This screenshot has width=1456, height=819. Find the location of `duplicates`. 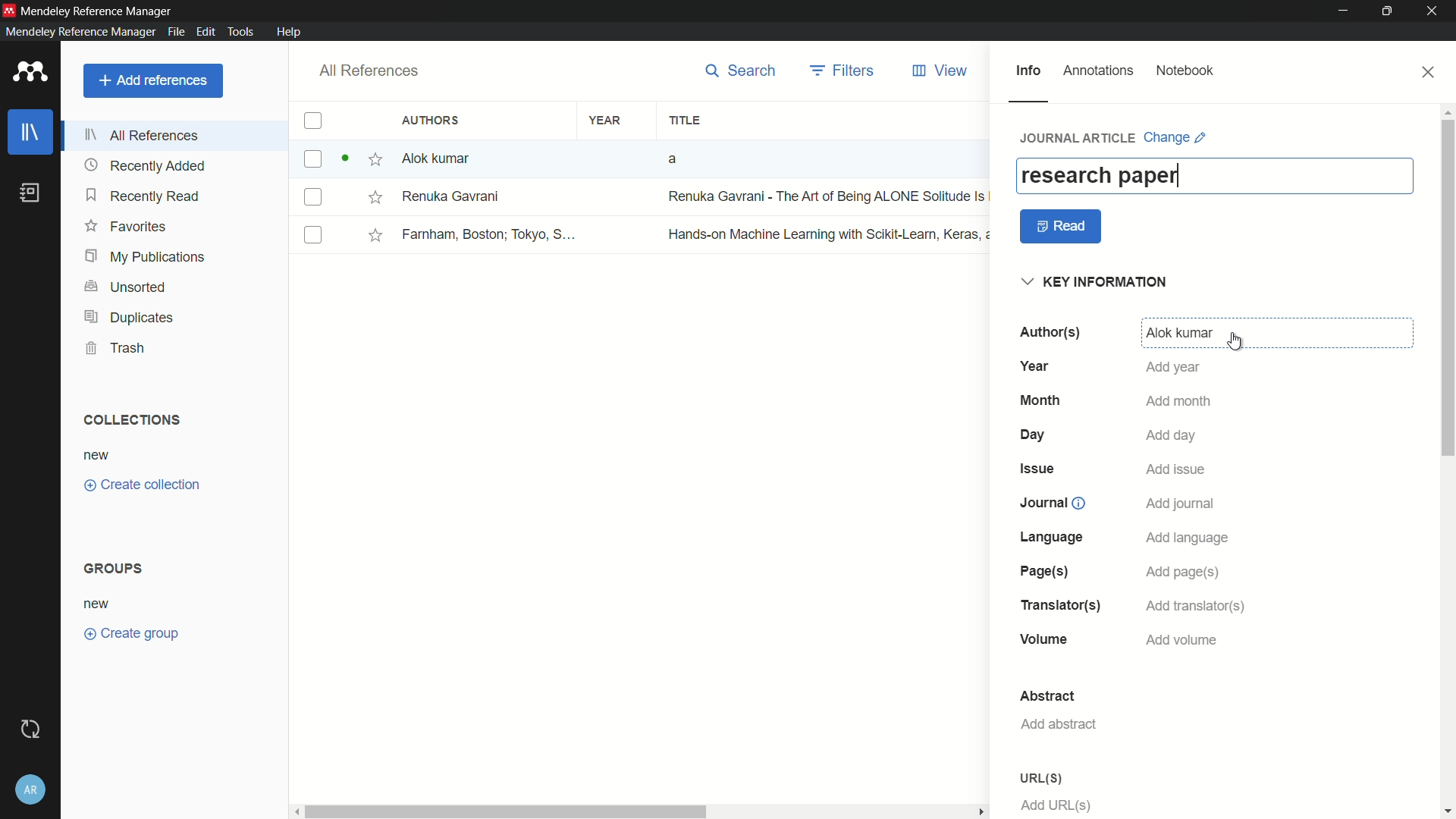

duplicates is located at coordinates (128, 318).